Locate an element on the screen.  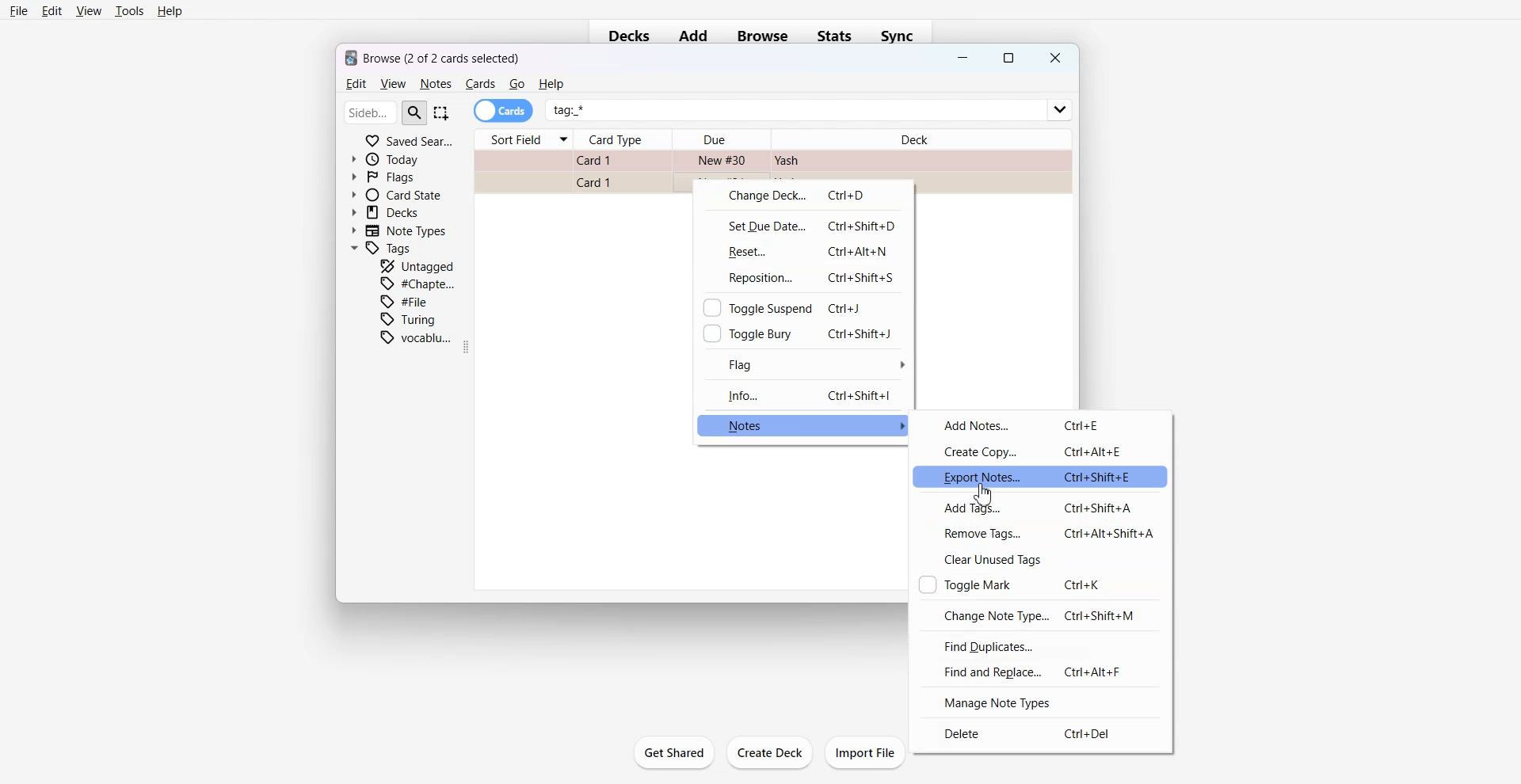
Add is located at coordinates (693, 36).